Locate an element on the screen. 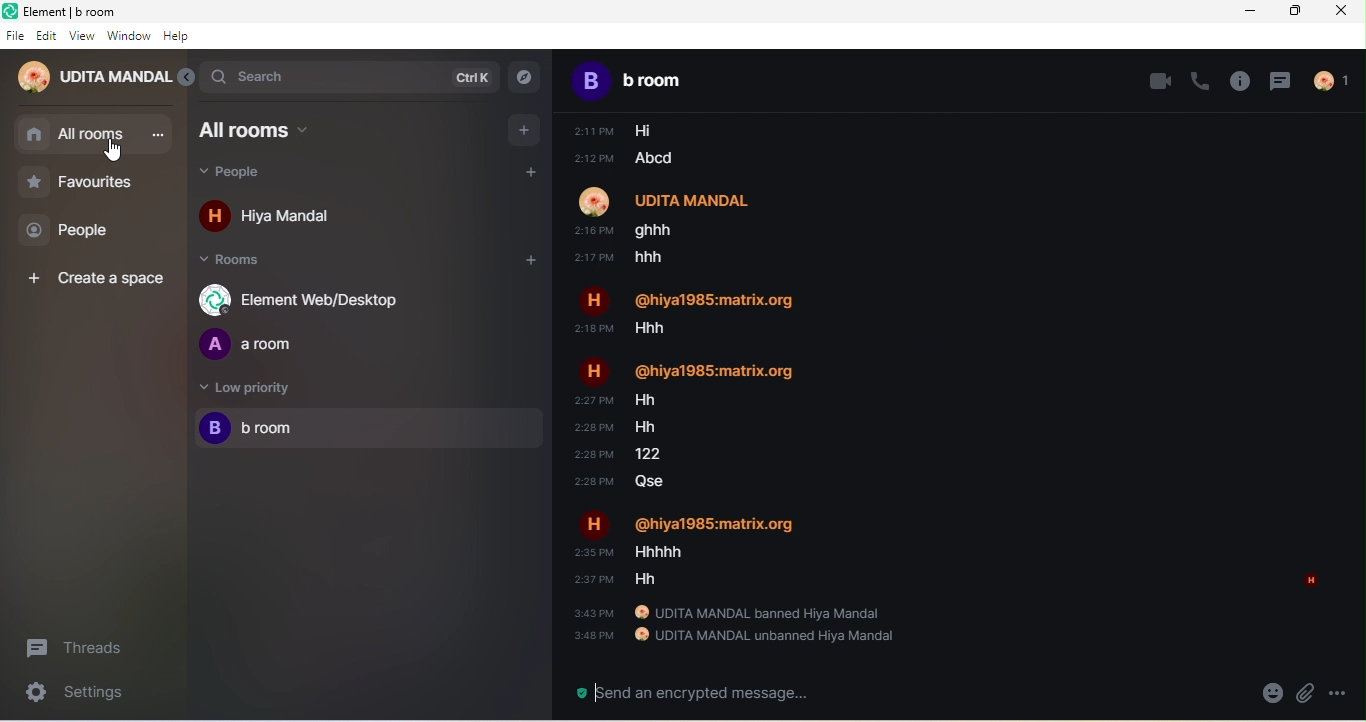 This screenshot has height=722, width=1366. a room is located at coordinates (257, 345).